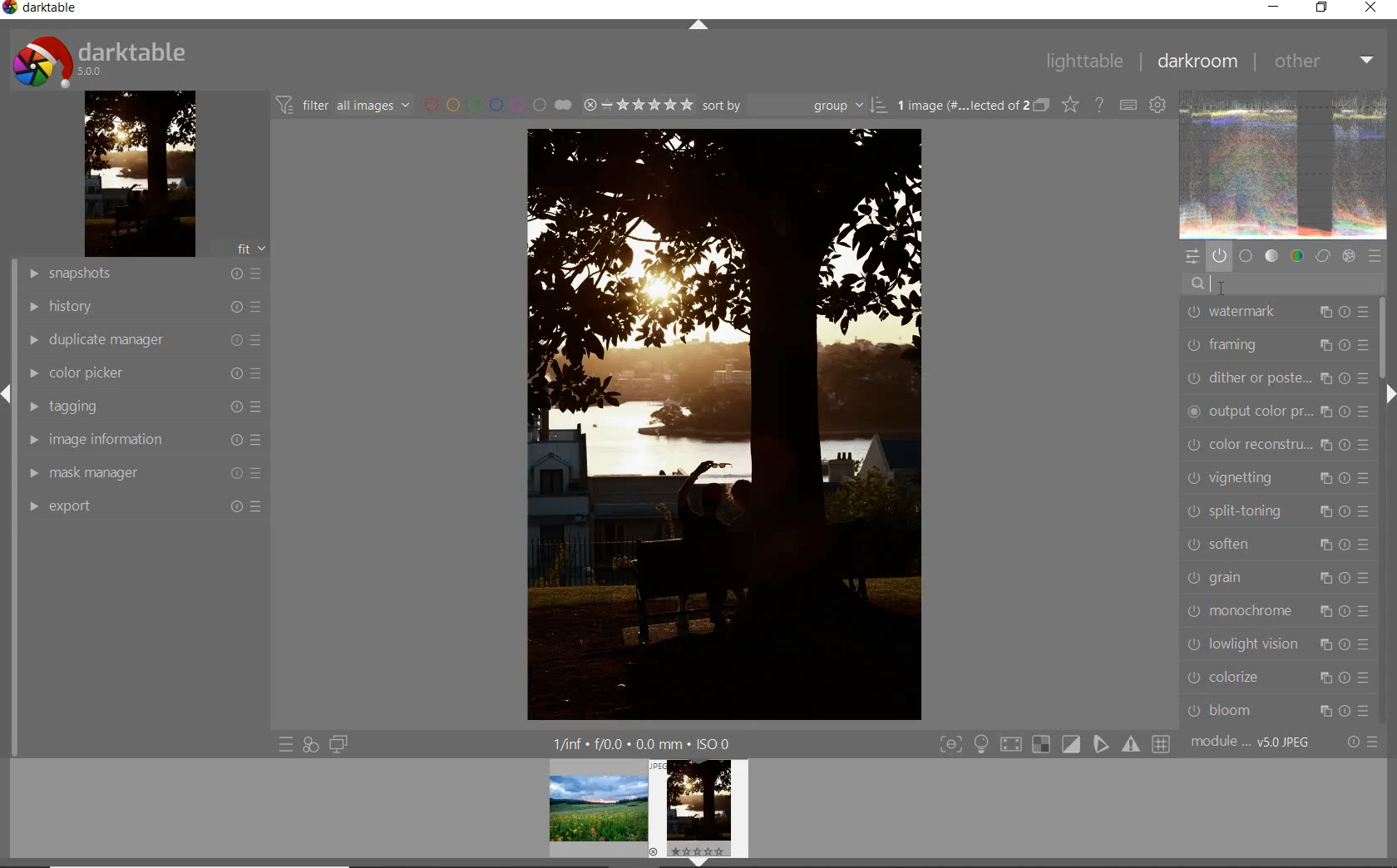 This screenshot has width=1397, height=868. What do you see at coordinates (500, 104) in the screenshot?
I see `filter by image color label` at bounding box center [500, 104].